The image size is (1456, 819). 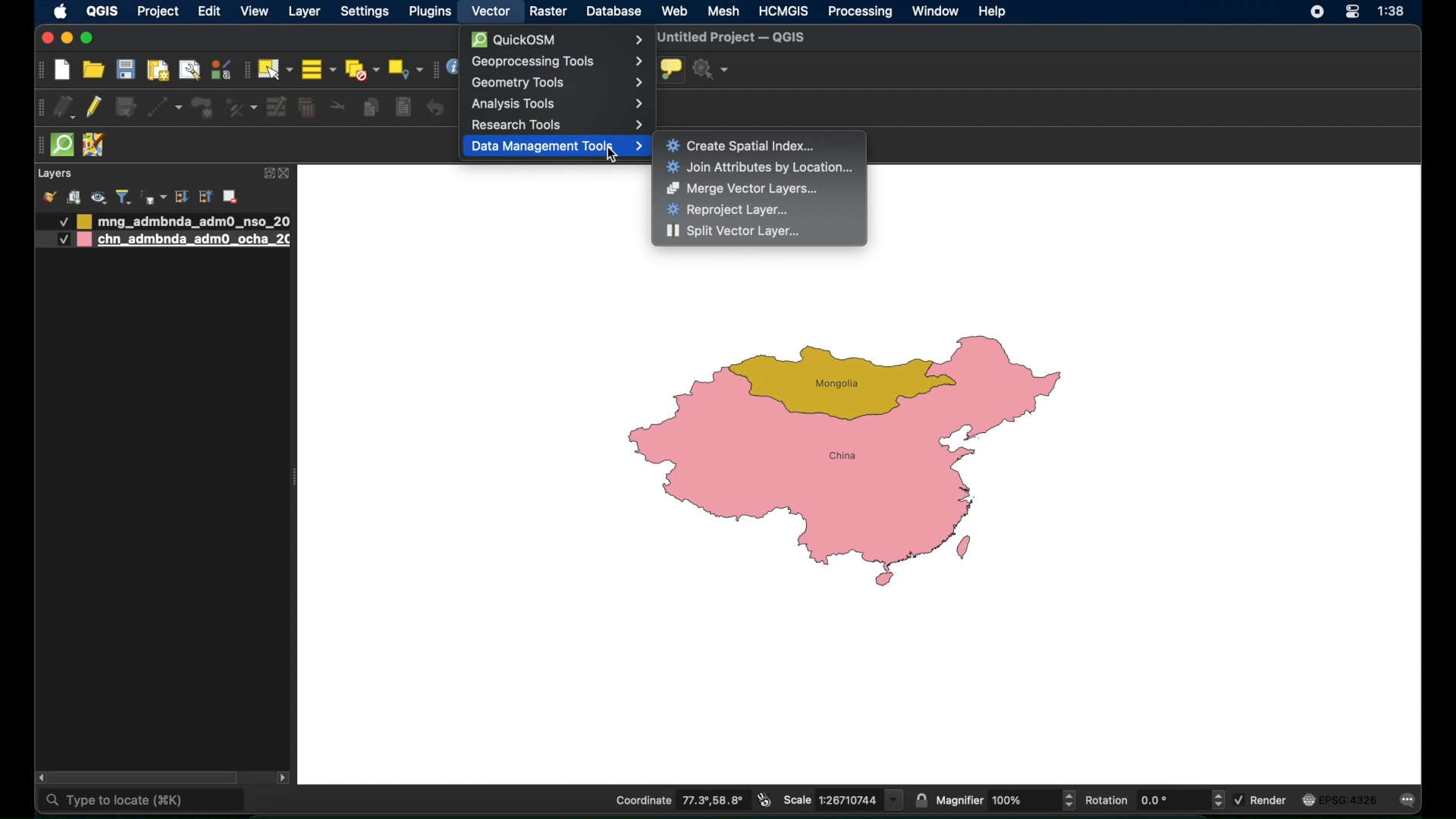 What do you see at coordinates (92, 70) in the screenshot?
I see `open project` at bounding box center [92, 70].